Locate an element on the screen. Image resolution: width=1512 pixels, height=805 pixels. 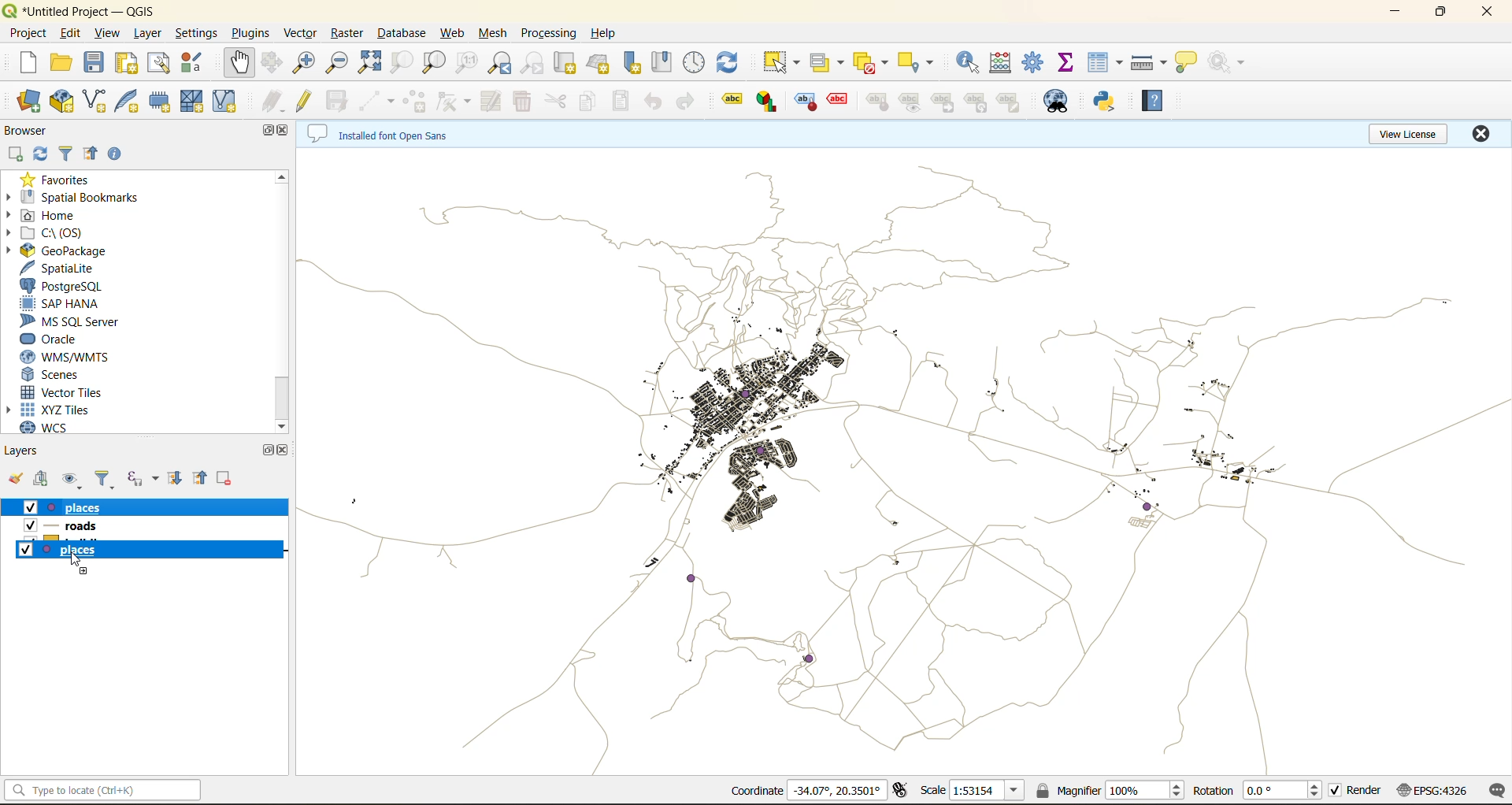
highlight pinned labels and diagram is located at coordinates (804, 102).